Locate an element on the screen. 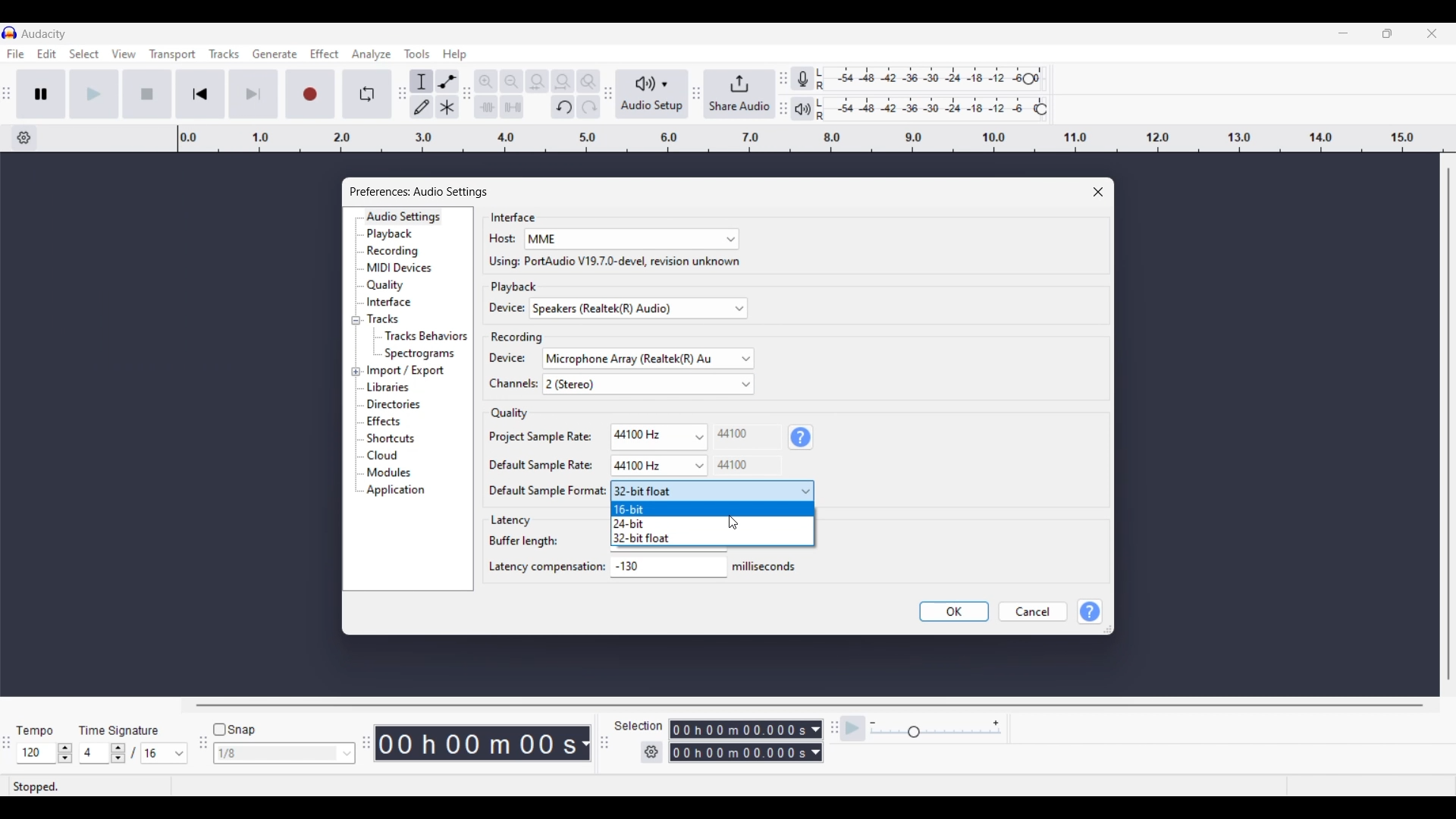  44100 is located at coordinates (732, 435).